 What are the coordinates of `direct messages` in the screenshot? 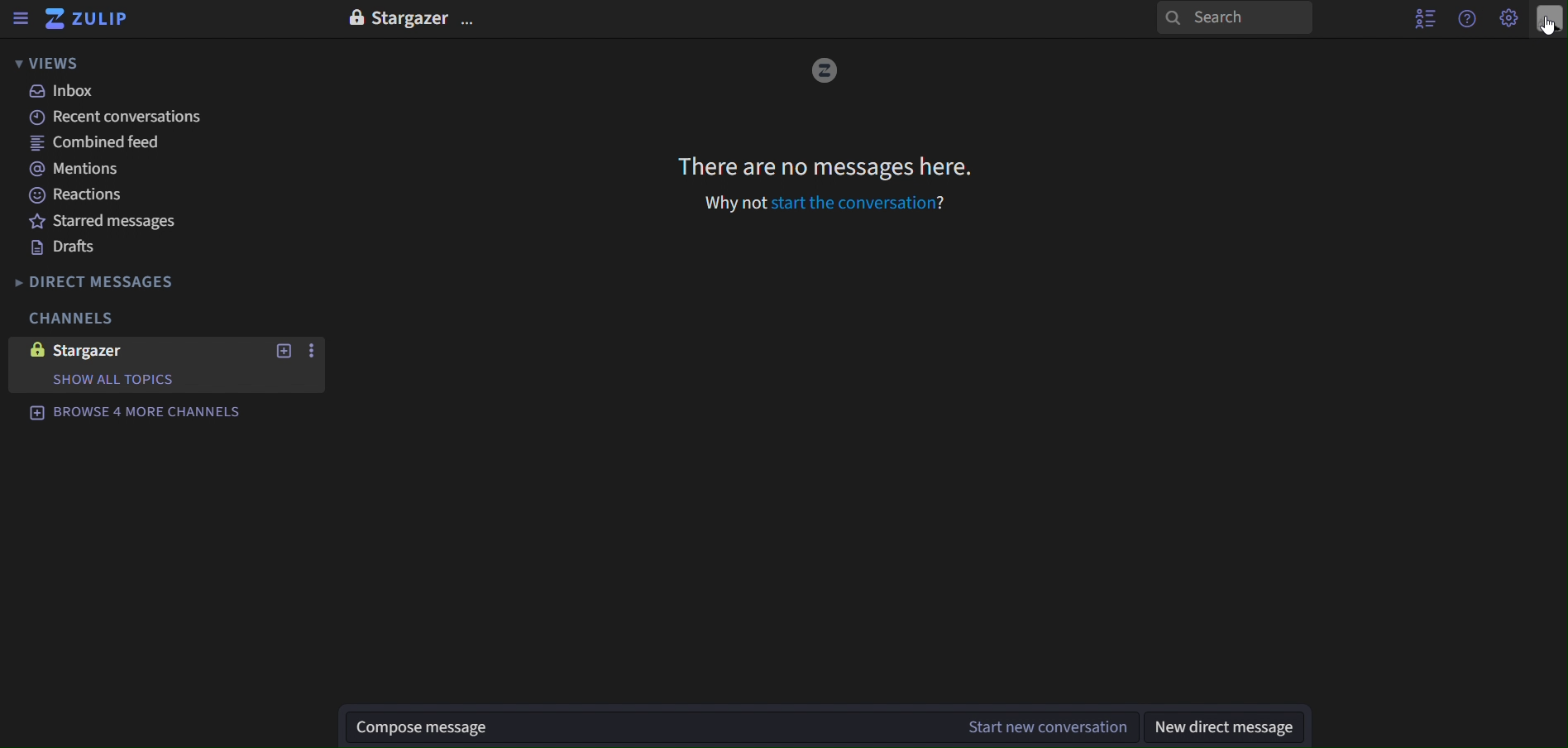 It's located at (103, 280).